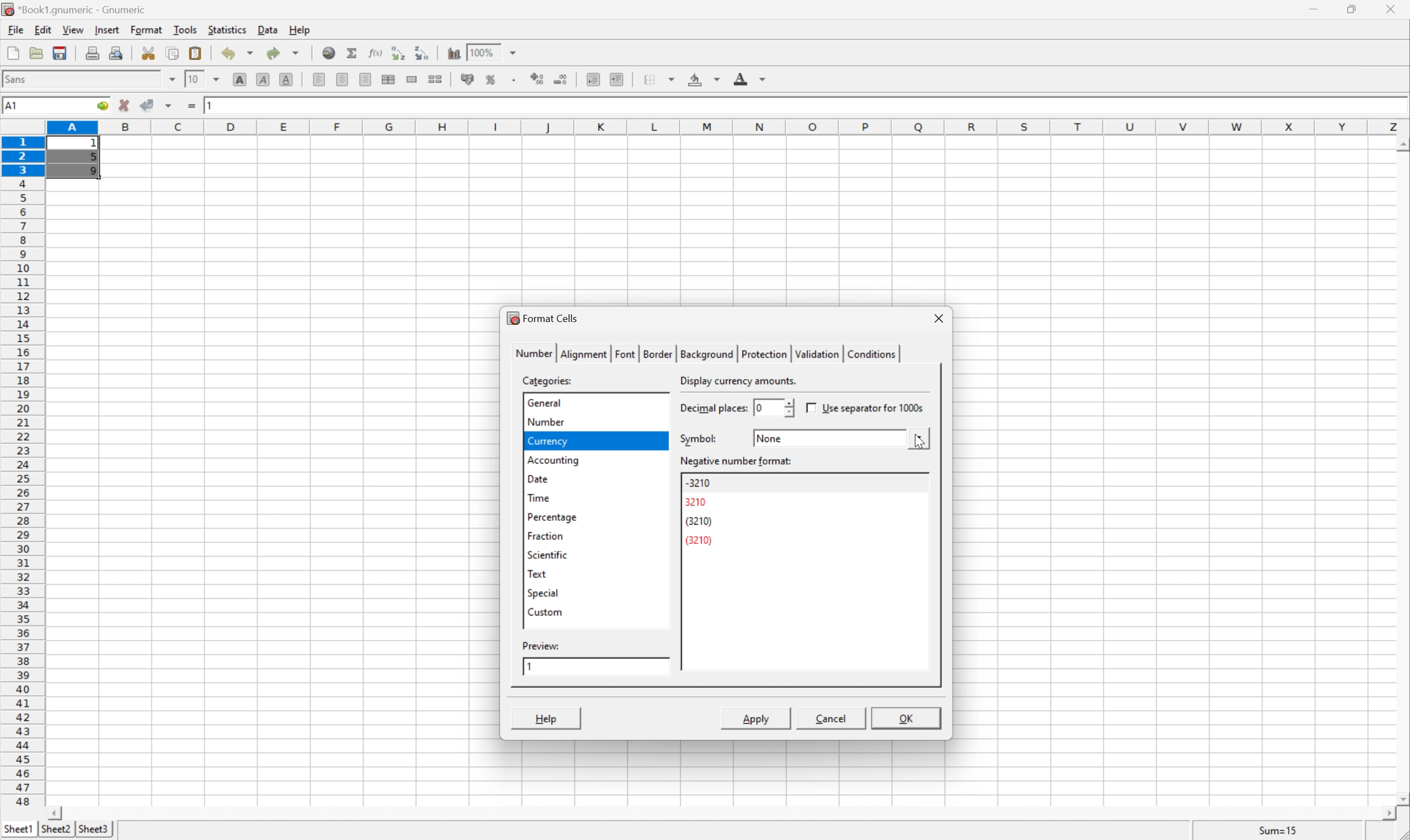  What do you see at coordinates (1353, 9) in the screenshot?
I see `restore down` at bounding box center [1353, 9].